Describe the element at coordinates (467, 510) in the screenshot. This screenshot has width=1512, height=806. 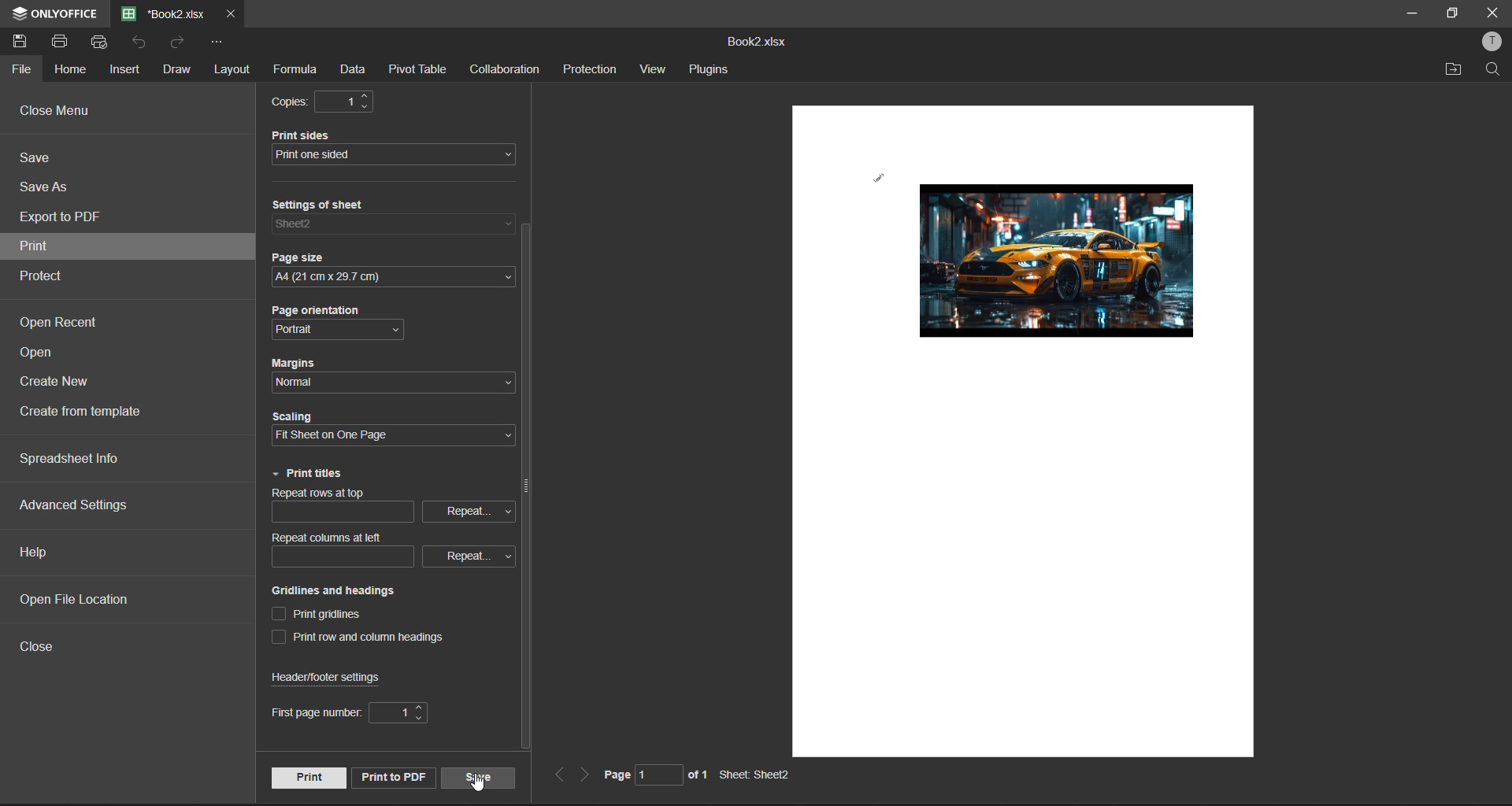
I see `repeat` at that location.